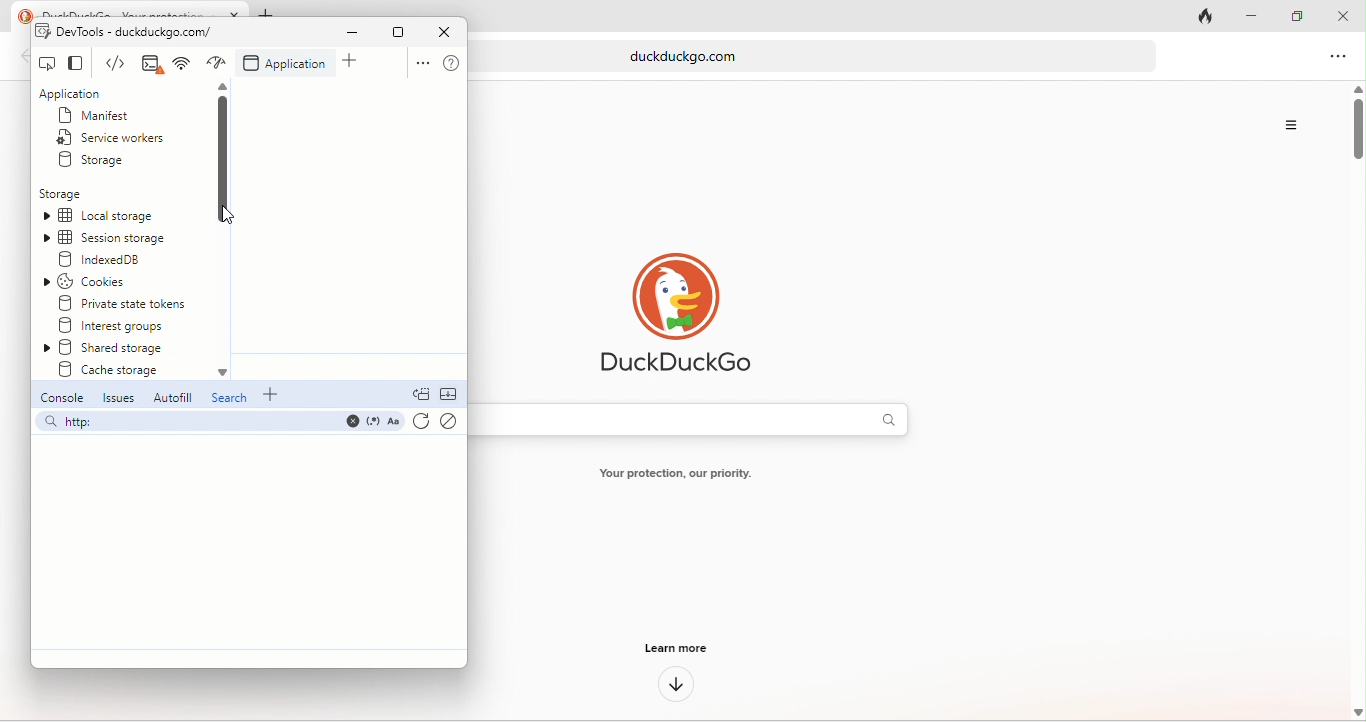  What do you see at coordinates (223, 153) in the screenshot?
I see `vertical scroll bar` at bounding box center [223, 153].